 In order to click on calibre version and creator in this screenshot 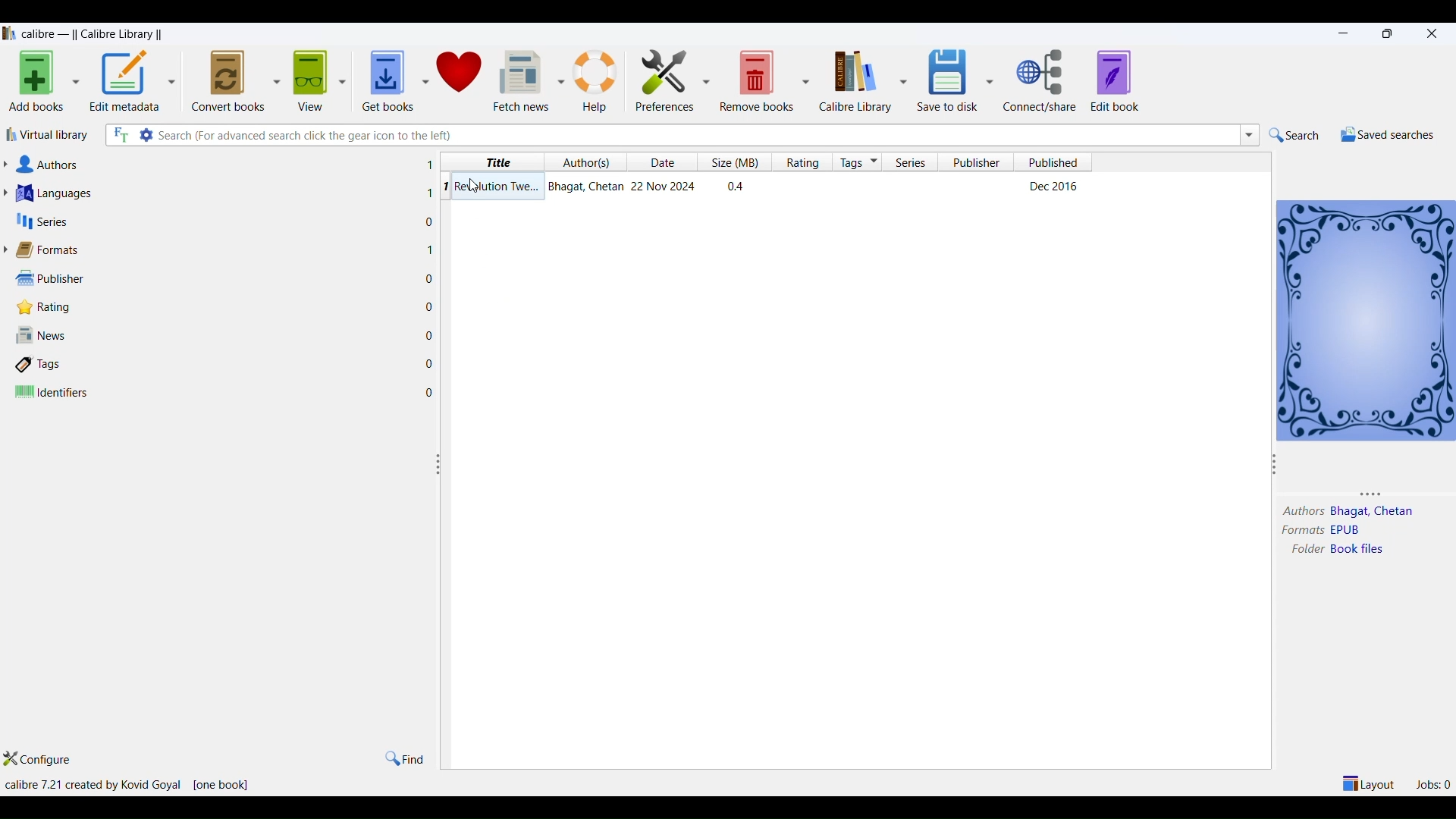, I will do `click(92, 783)`.